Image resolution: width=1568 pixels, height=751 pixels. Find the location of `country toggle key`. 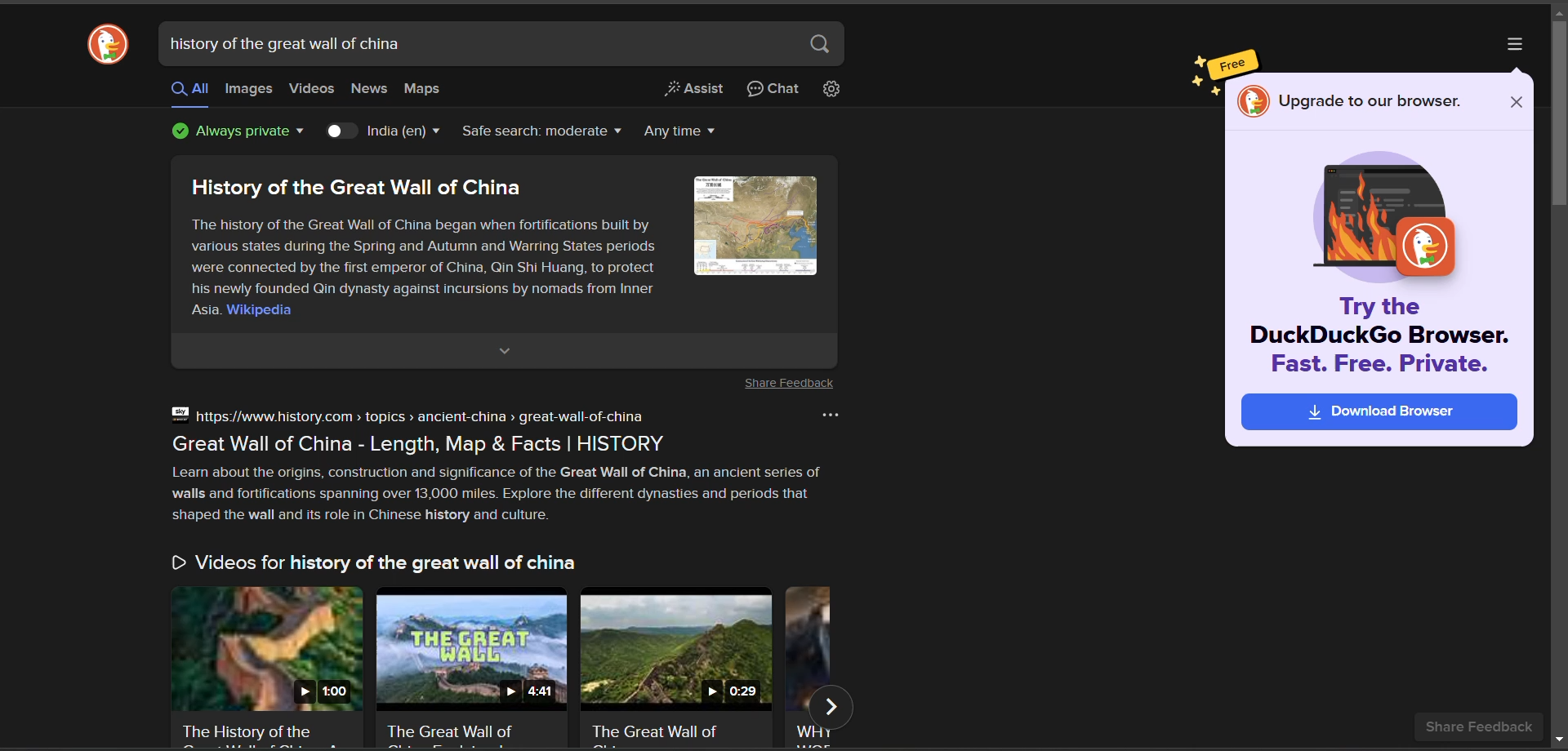

country toggle key is located at coordinates (342, 131).